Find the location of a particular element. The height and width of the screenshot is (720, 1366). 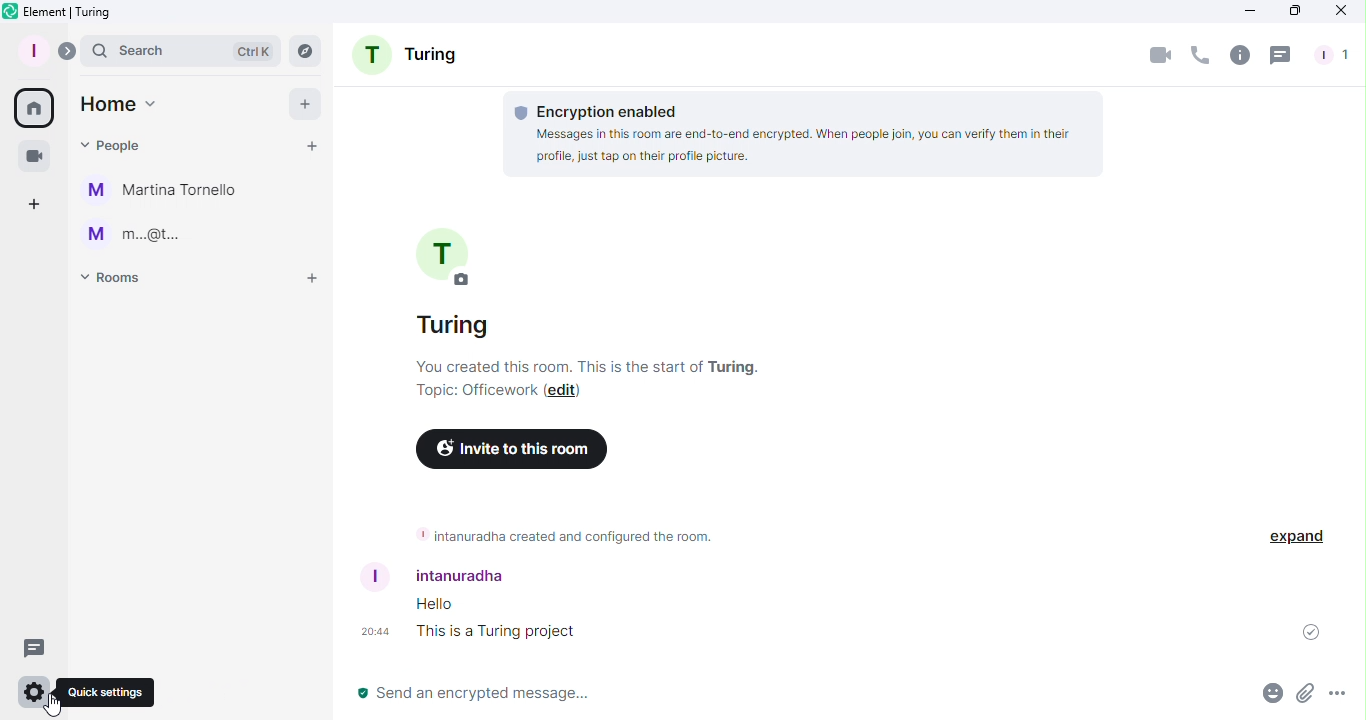

m...@t... is located at coordinates (132, 233).